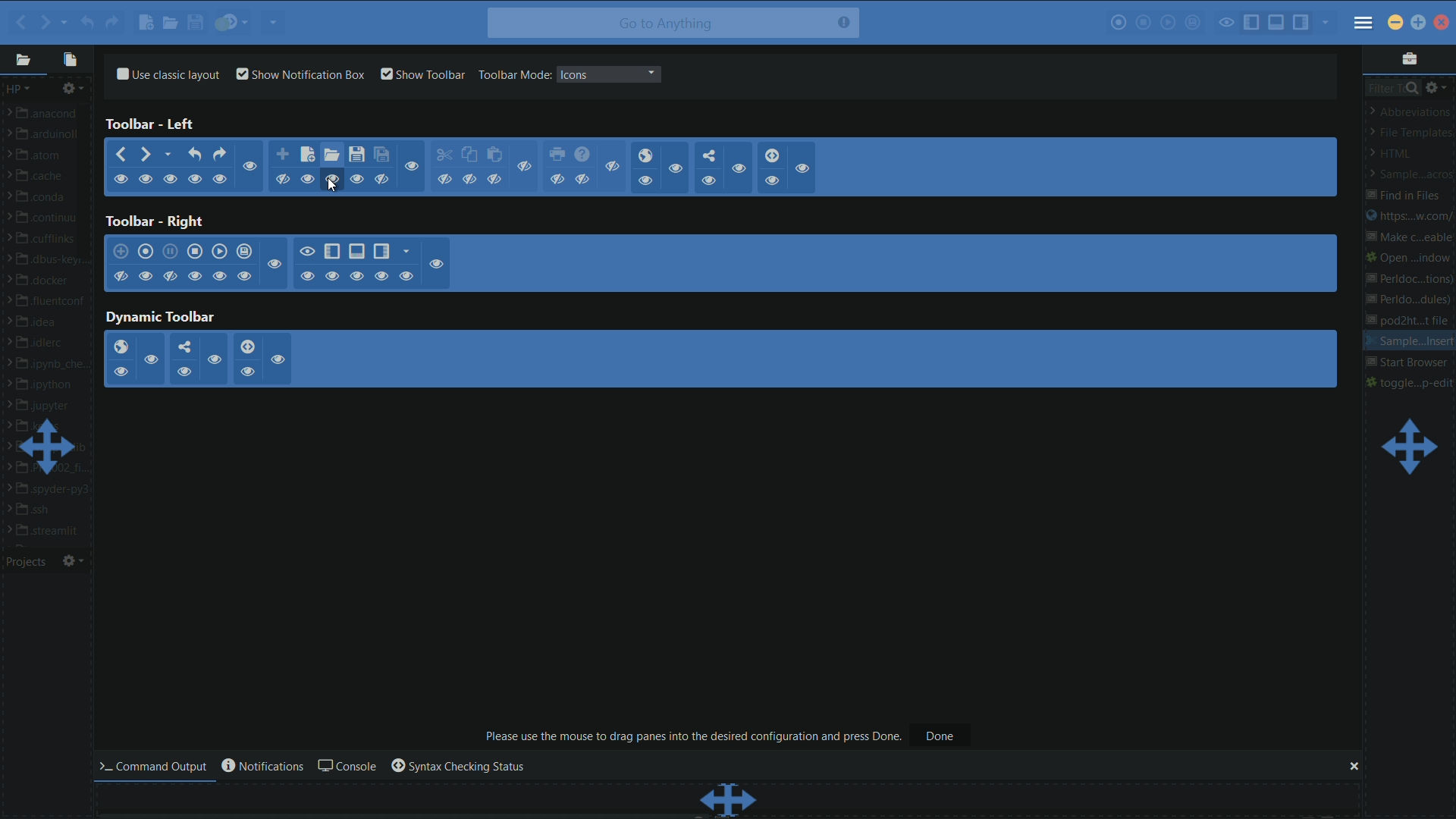 The width and height of the screenshot is (1456, 819). I want to click on show/hide, so click(677, 170).